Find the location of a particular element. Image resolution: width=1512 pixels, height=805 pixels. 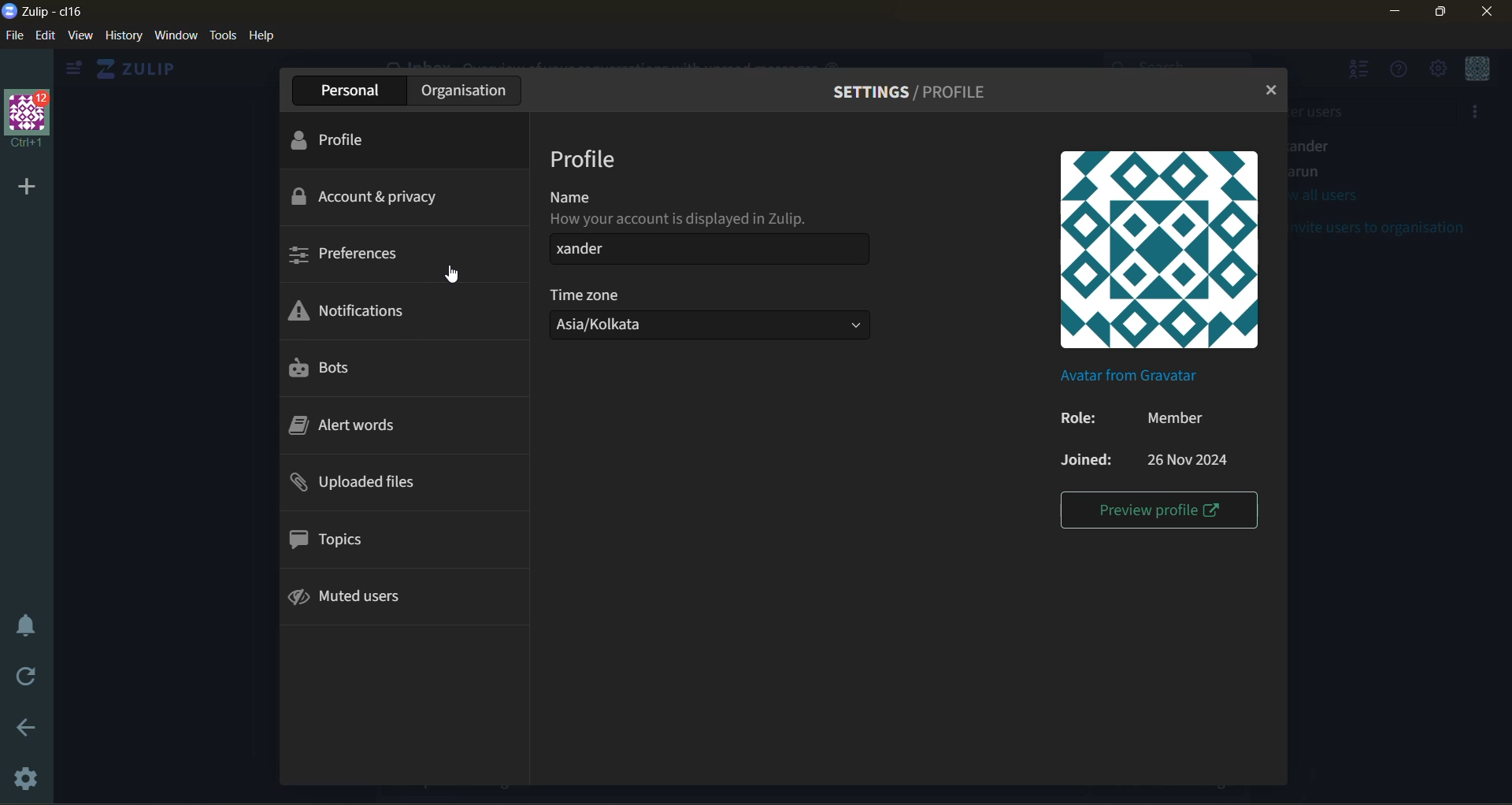

organisation name and profile picture is located at coordinates (28, 117).